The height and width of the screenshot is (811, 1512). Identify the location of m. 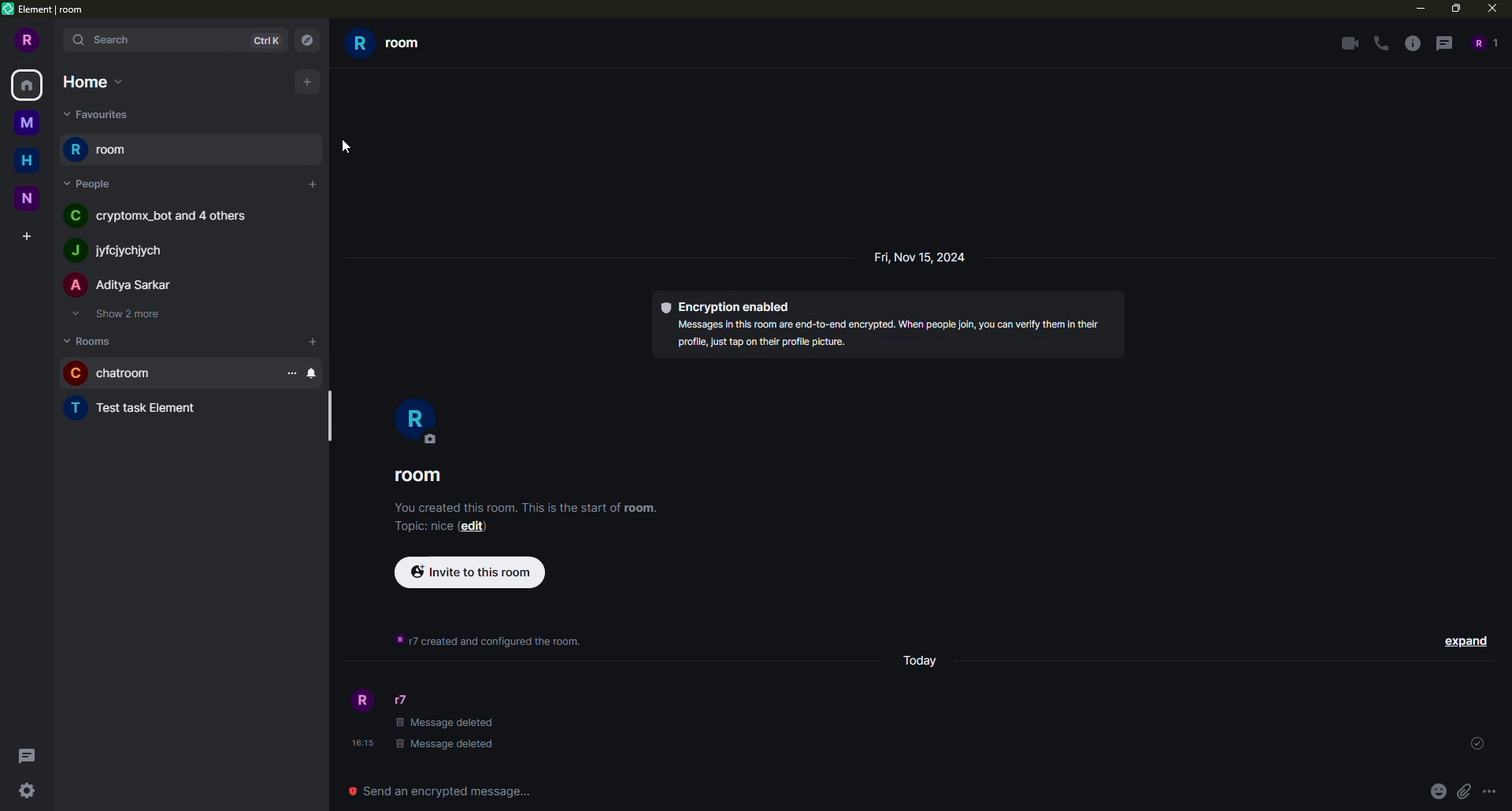
(26, 124).